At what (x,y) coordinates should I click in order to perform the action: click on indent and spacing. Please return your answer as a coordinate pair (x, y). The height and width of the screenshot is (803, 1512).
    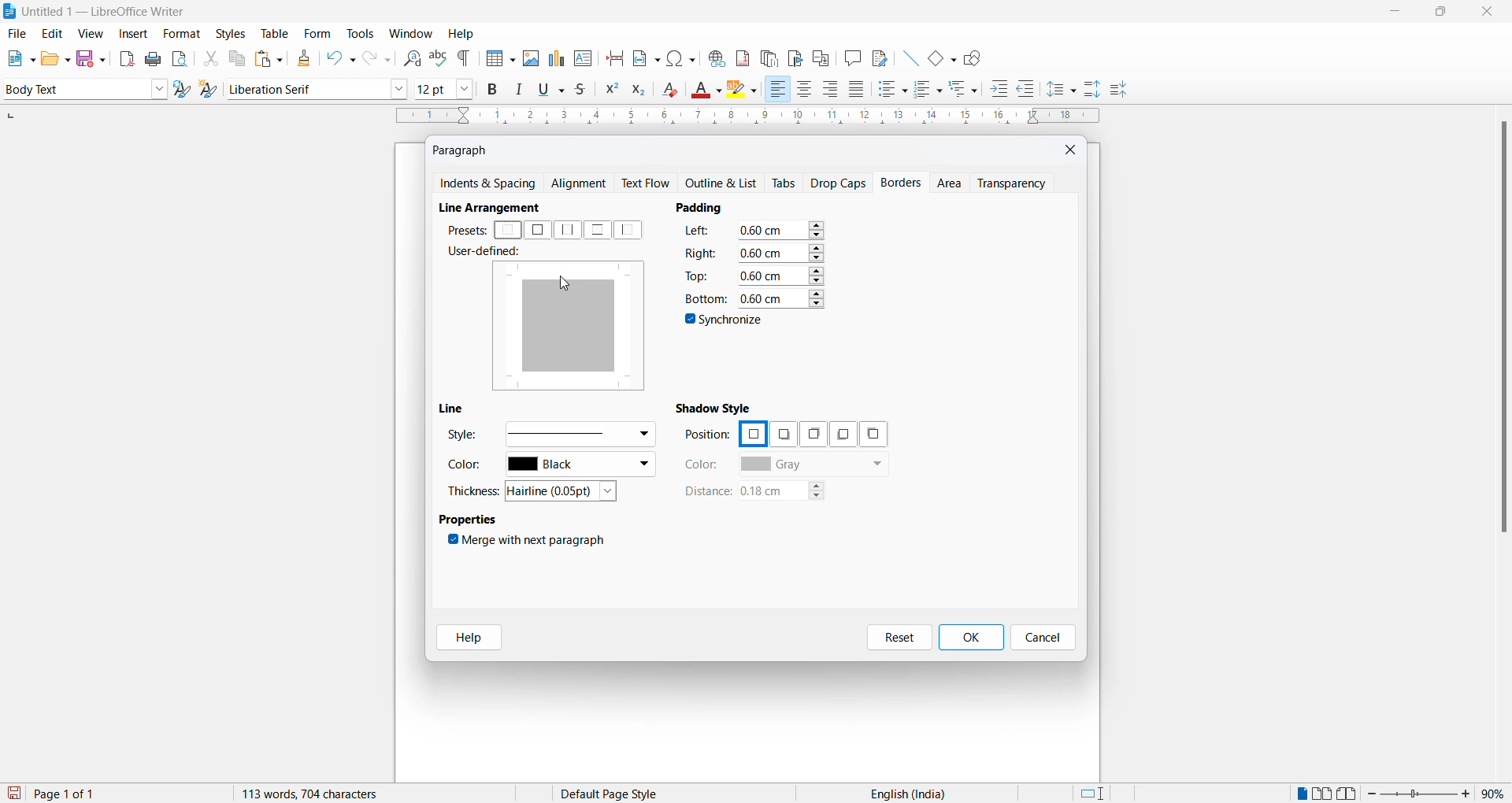
    Looking at the image, I should click on (489, 184).